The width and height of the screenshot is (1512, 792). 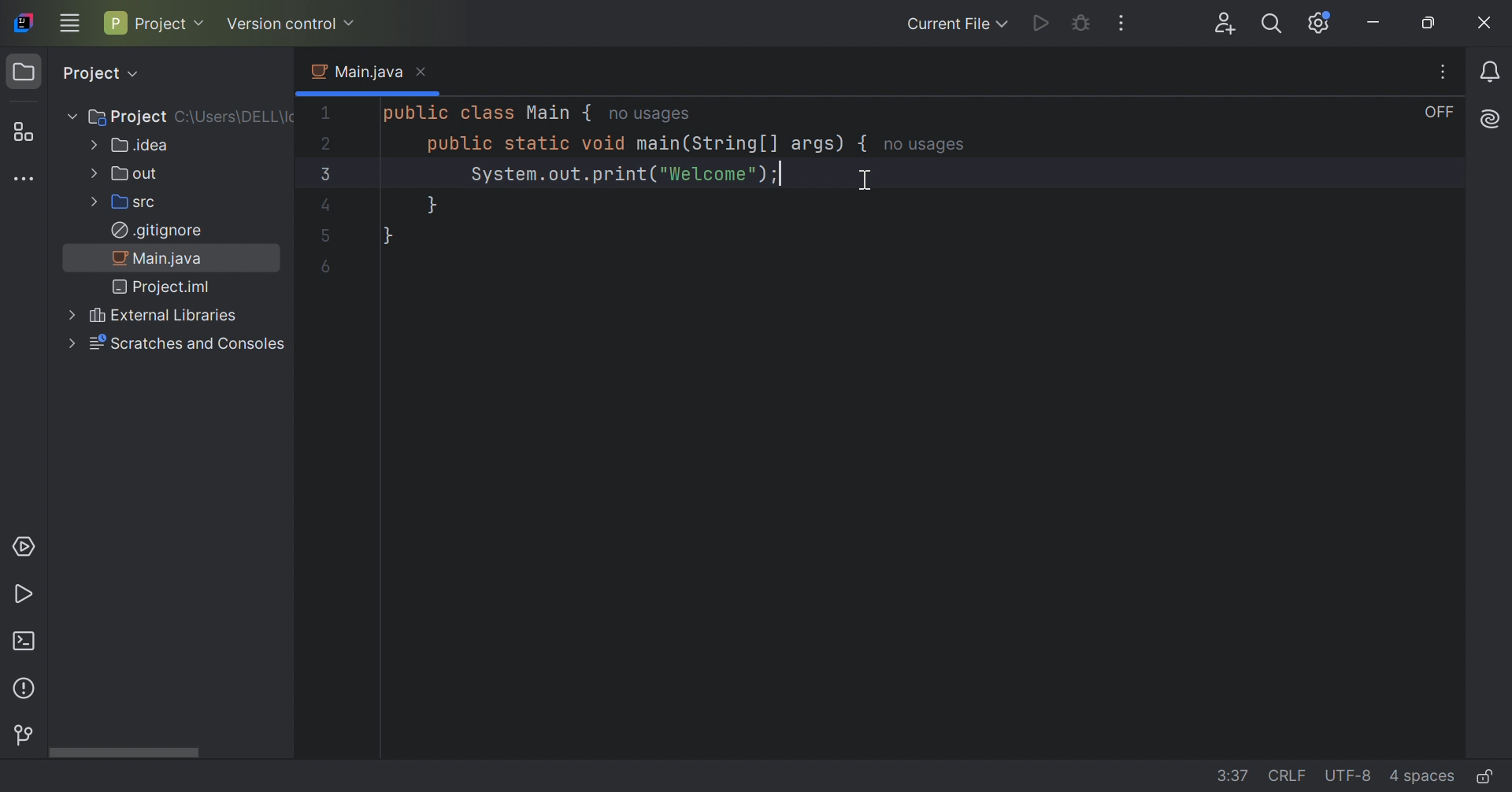 I want to click on Close, so click(x=423, y=72).